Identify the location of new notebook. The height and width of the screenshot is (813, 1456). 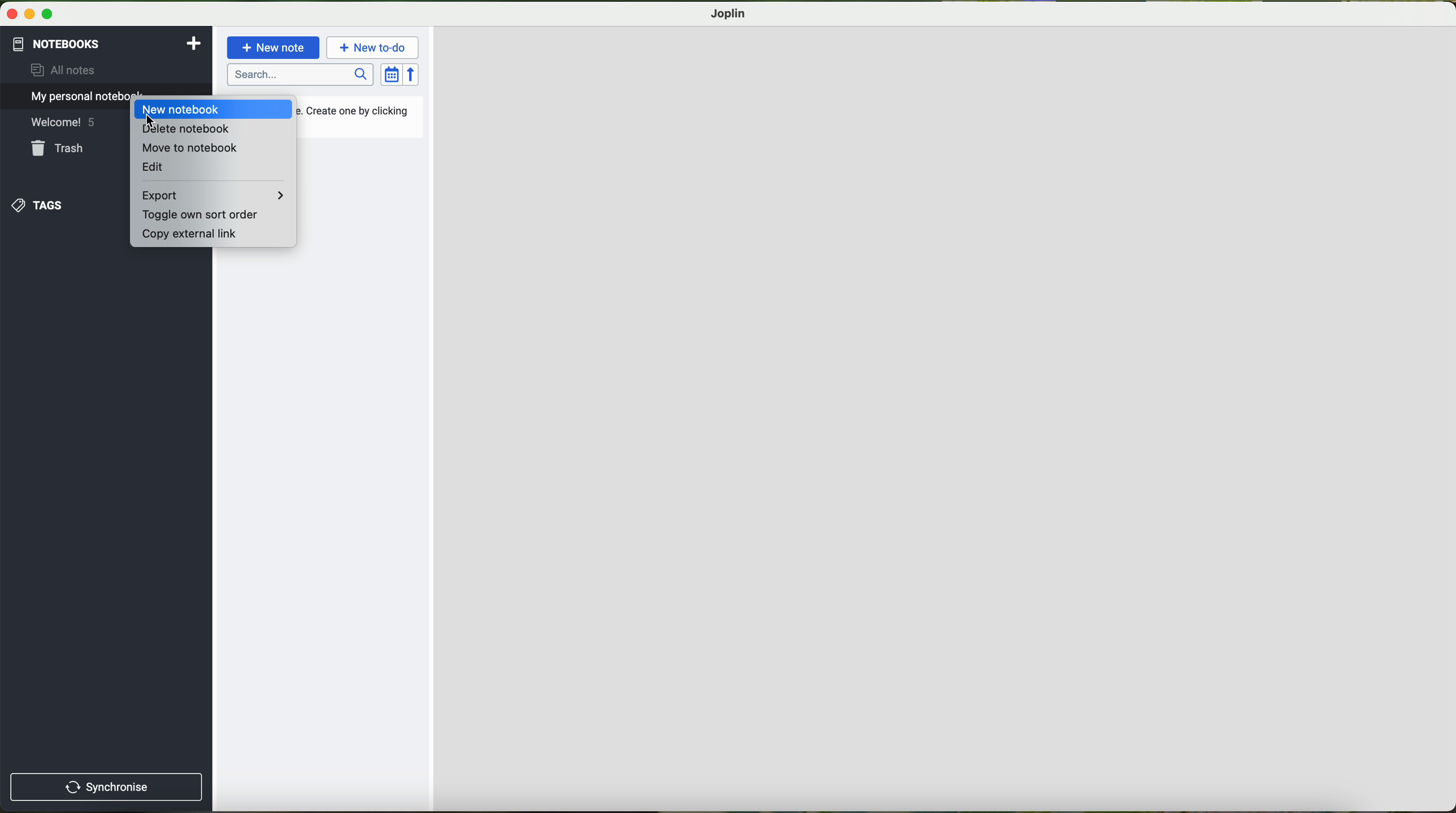
(181, 109).